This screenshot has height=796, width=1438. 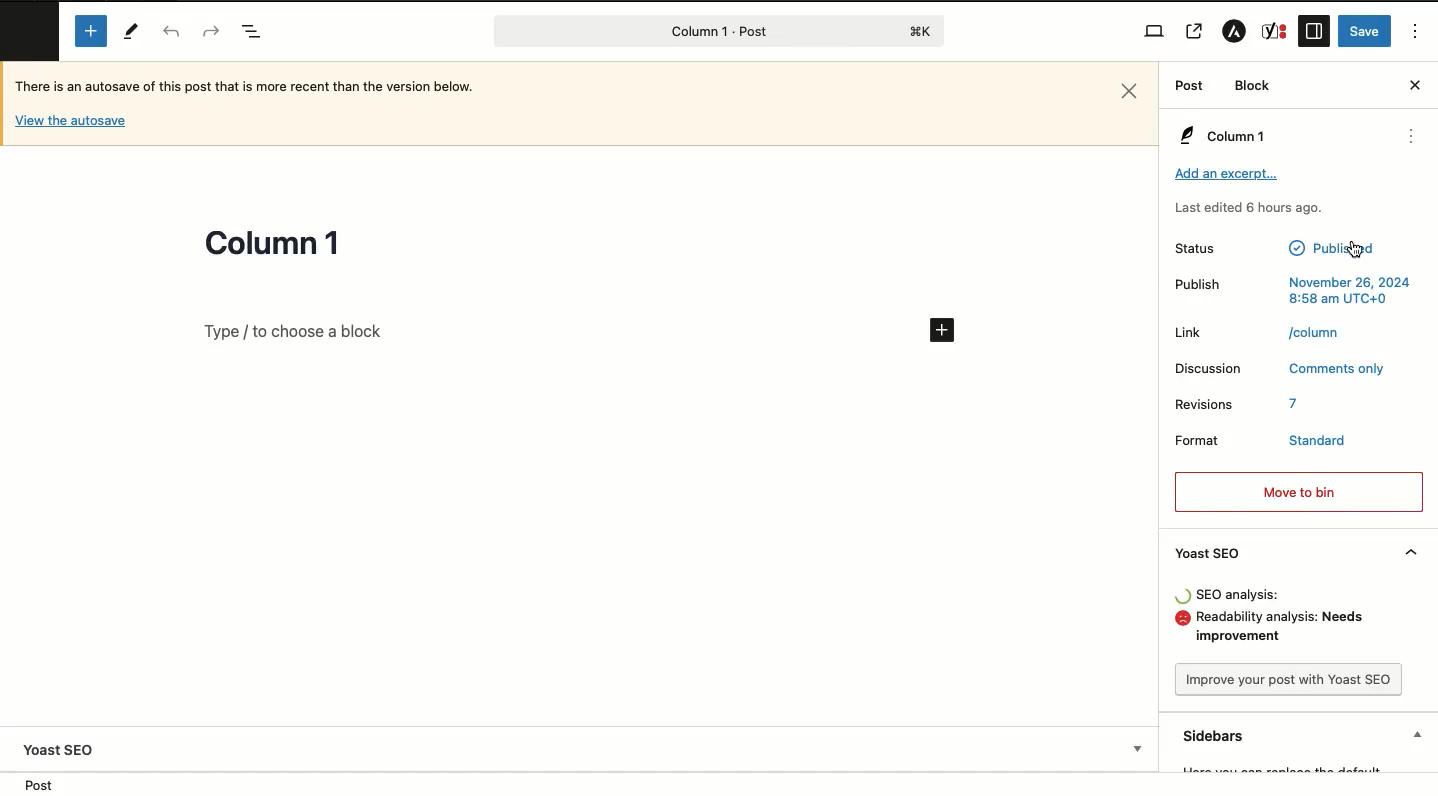 What do you see at coordinates (93, 30) in the screenshot?
I see `Add block` at bounding box center [93, 30].